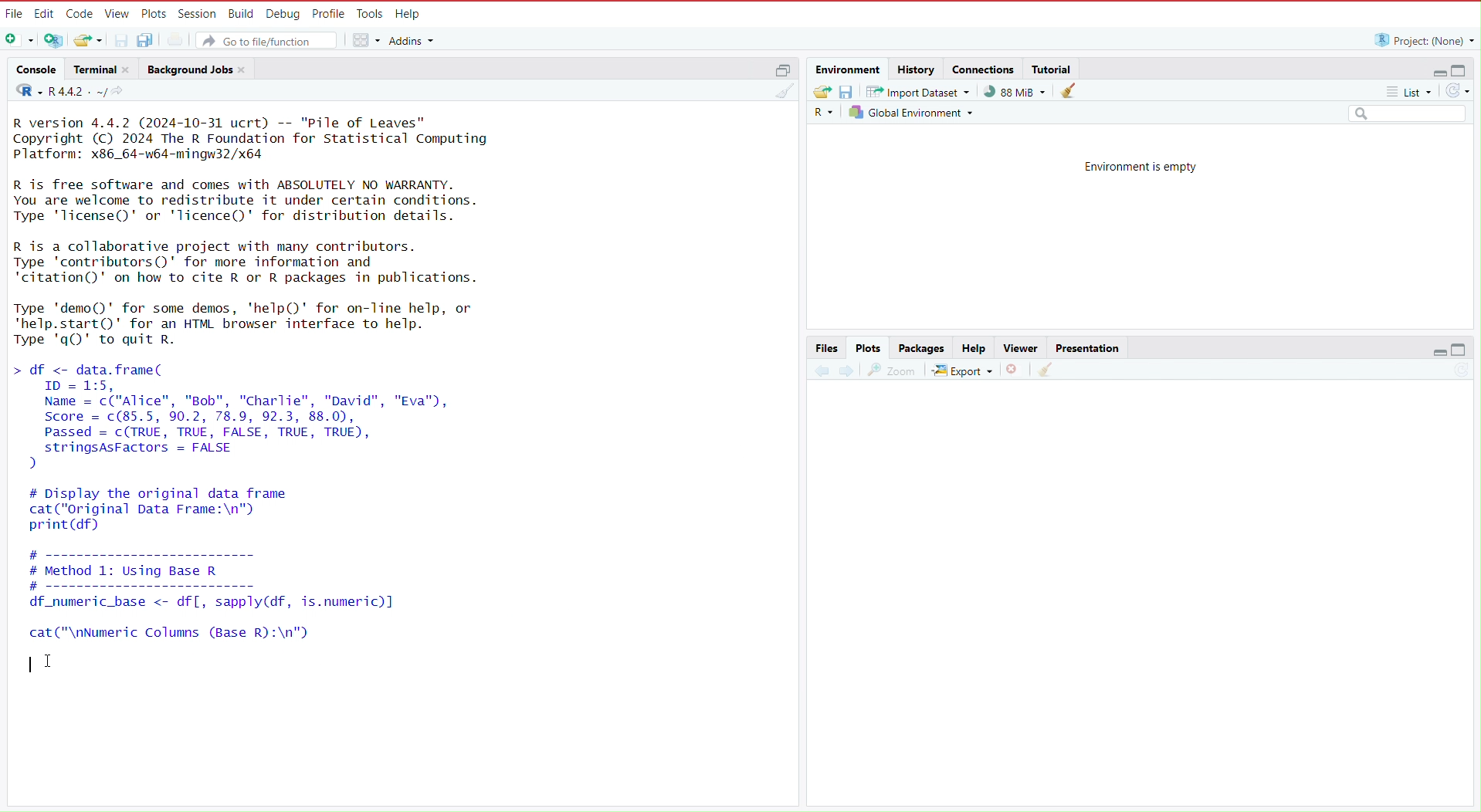  Describe the element at coordinates (413, 39) in the screenshot. I see `addins` at that location.